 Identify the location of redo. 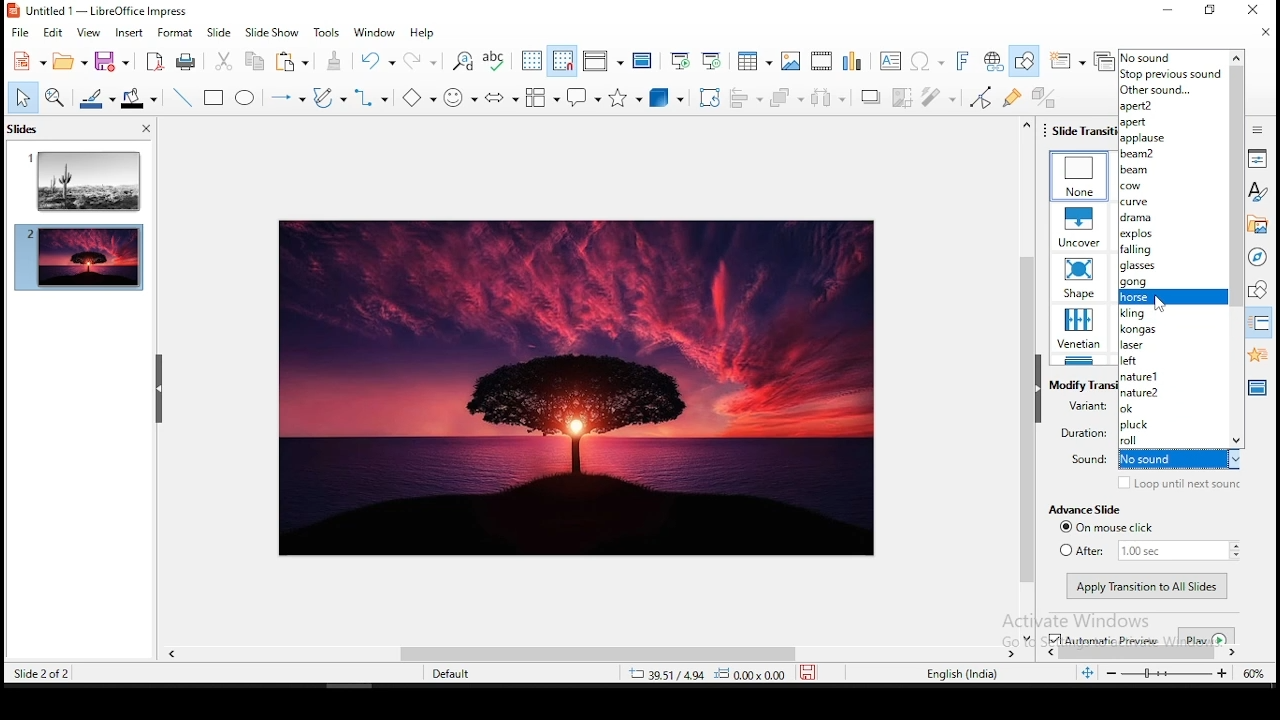
(423, 60).